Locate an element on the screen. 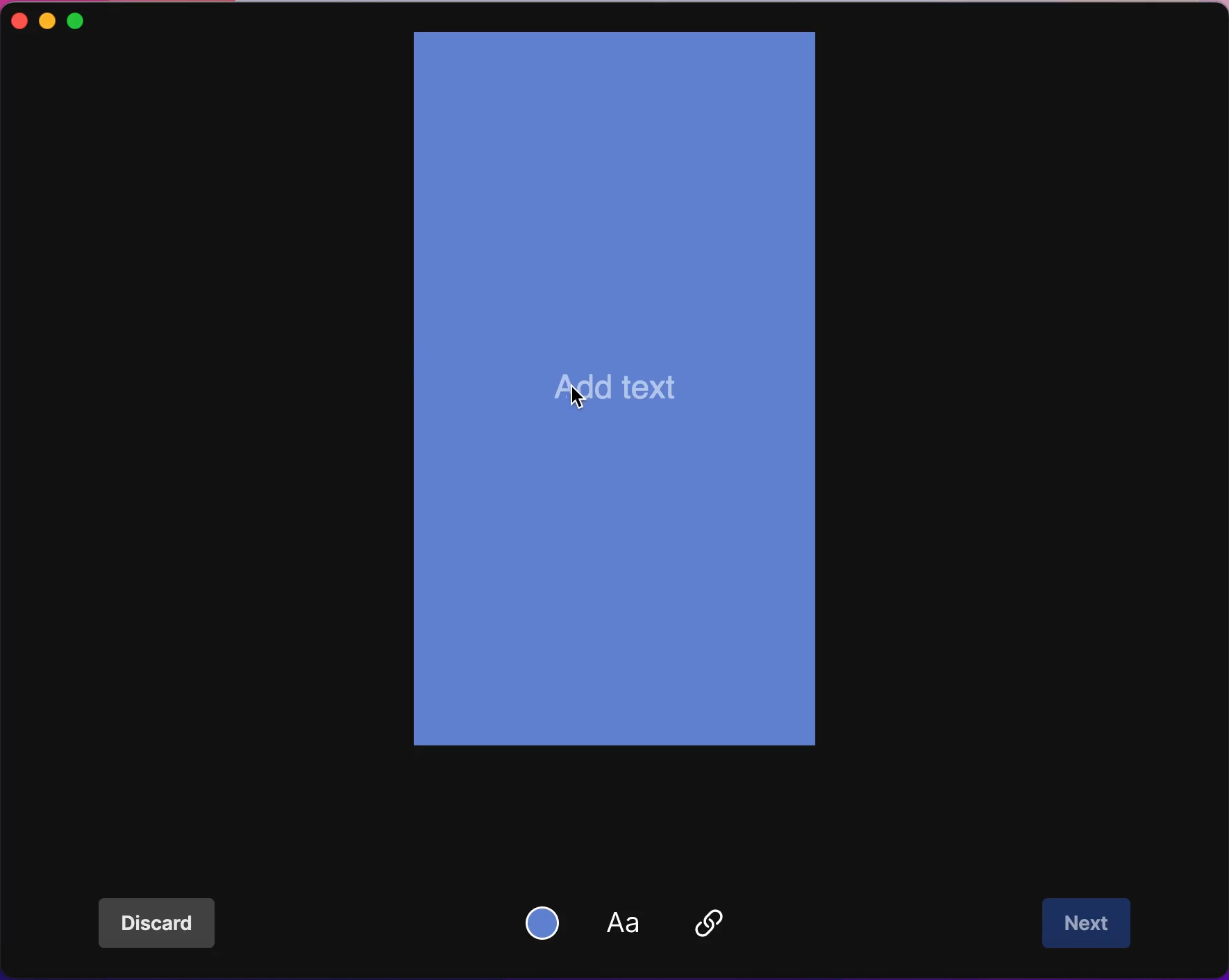 The width and height of the screenshot is (1229, 980). maximize is located at coordinates (92, 19).